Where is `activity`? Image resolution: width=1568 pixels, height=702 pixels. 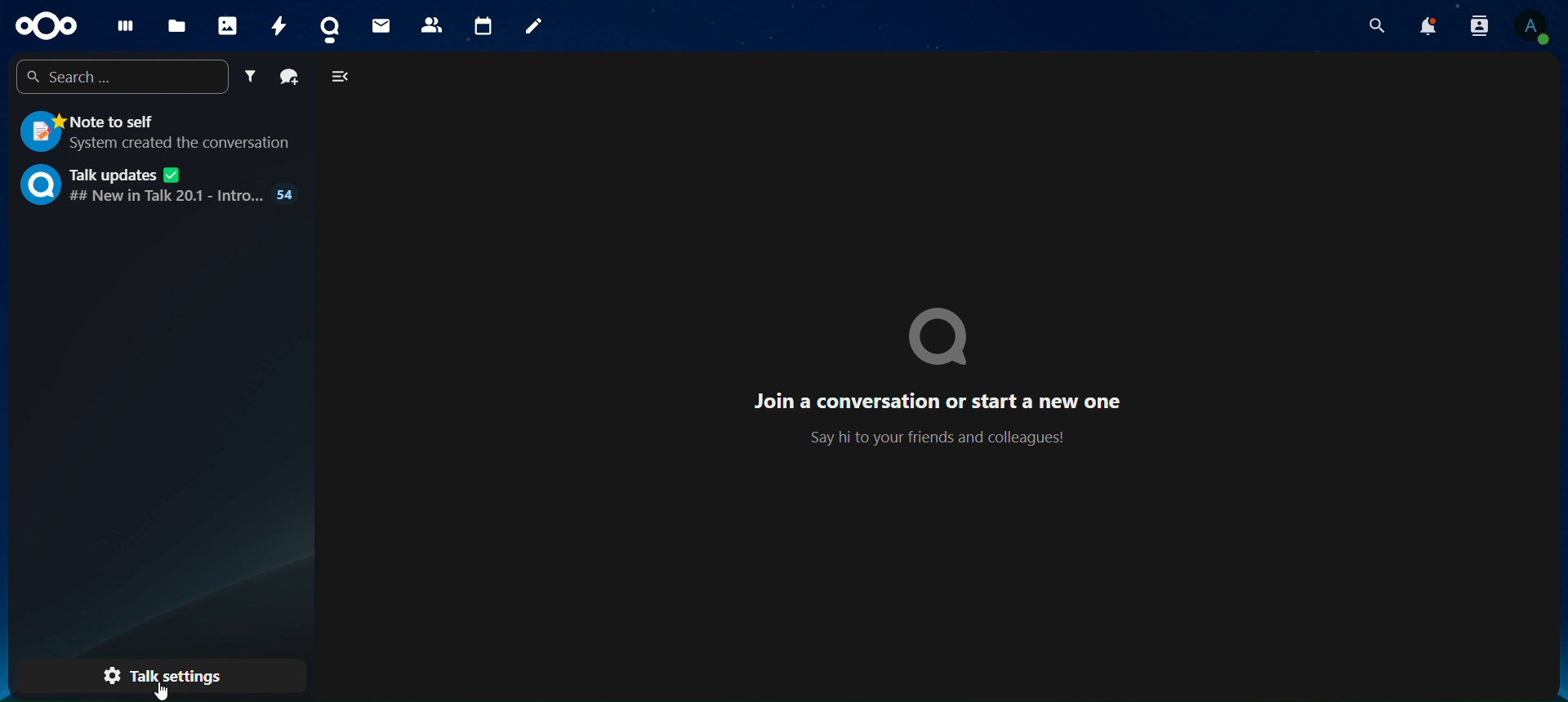
activity is located at coordinates (279, 24).